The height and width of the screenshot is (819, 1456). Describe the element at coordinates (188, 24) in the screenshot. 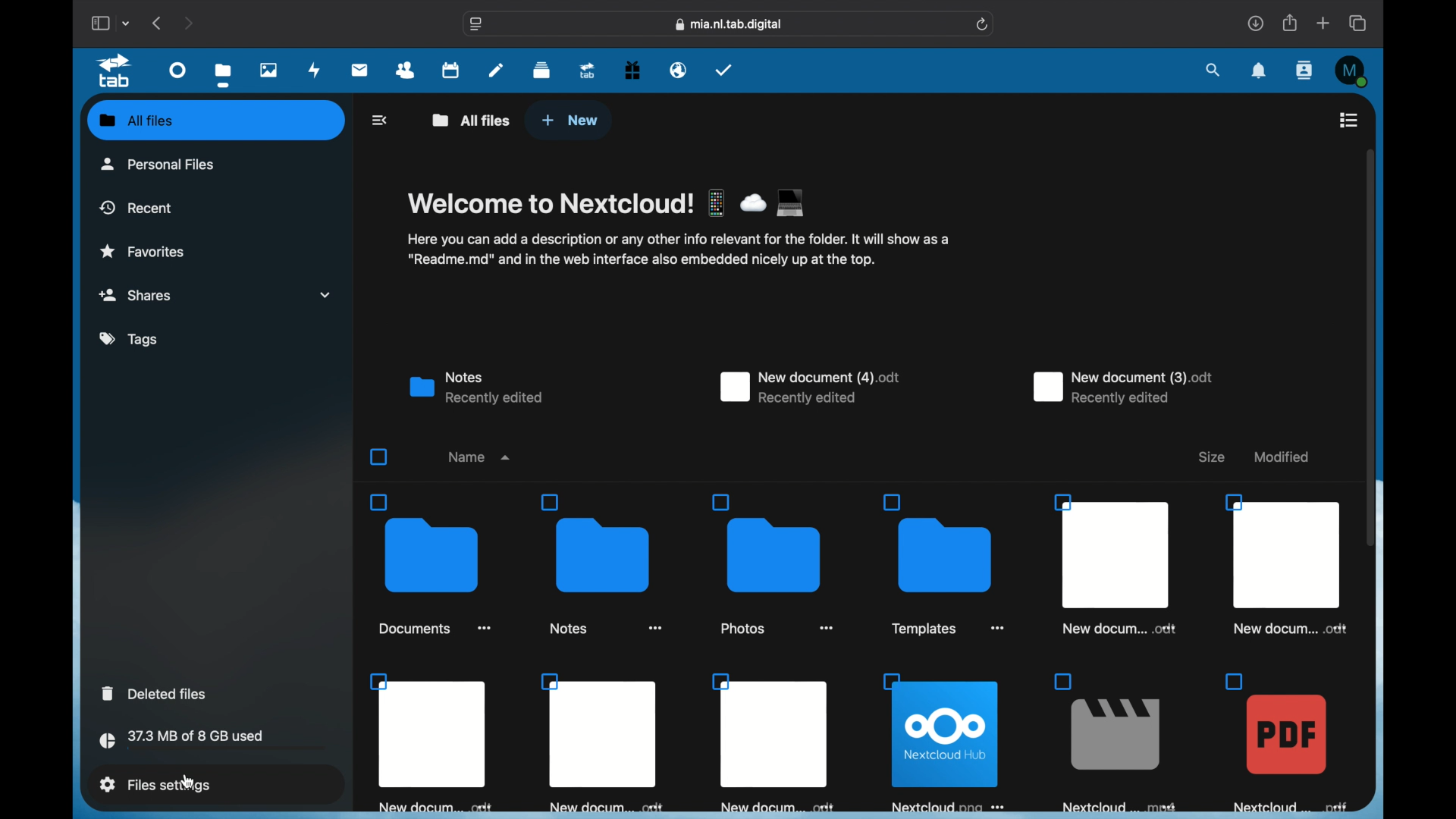

I see `next` at that location.